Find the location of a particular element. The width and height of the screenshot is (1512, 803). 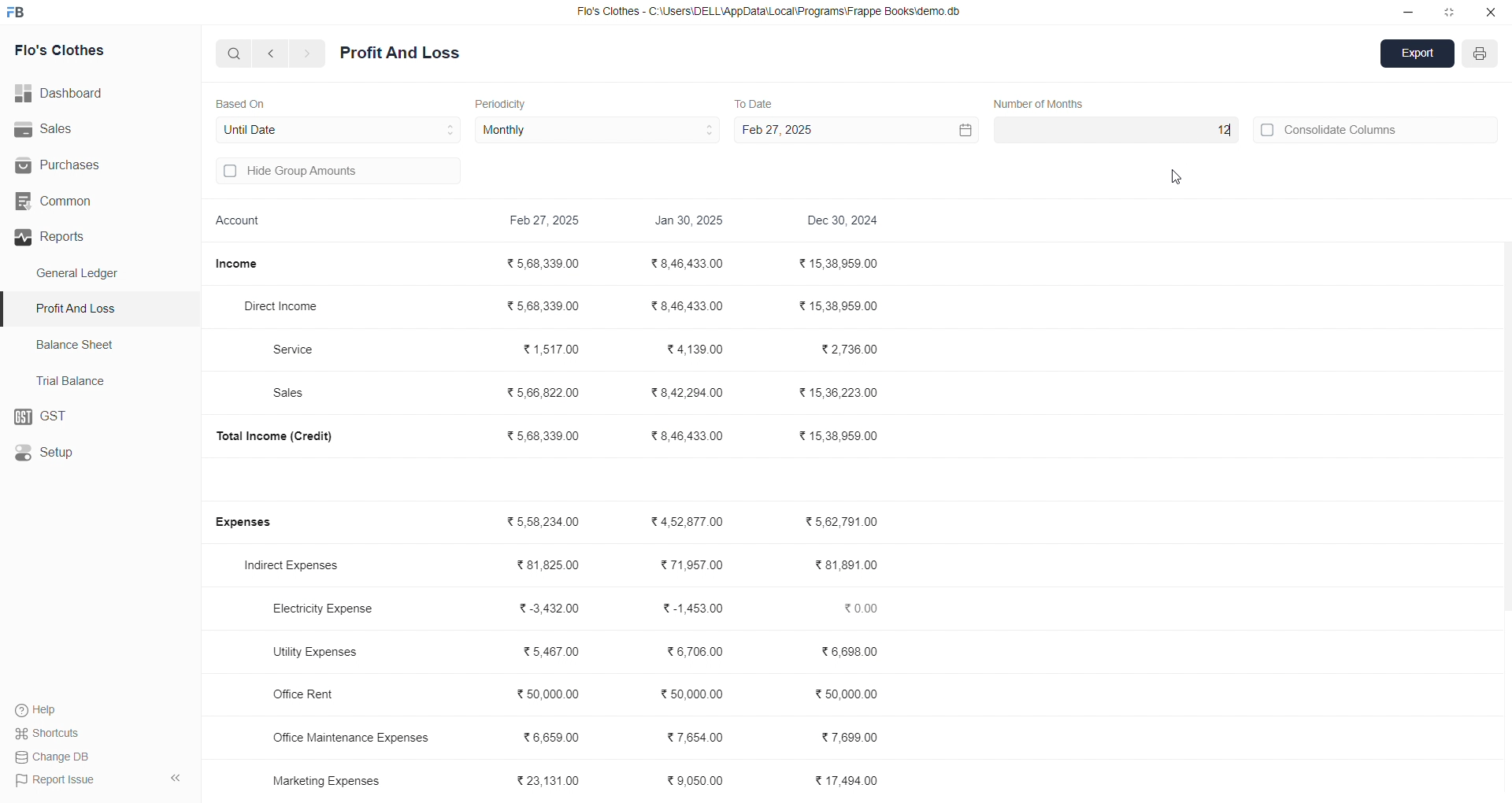

₹15,38,959.00 is located at coordinates (843, 306).